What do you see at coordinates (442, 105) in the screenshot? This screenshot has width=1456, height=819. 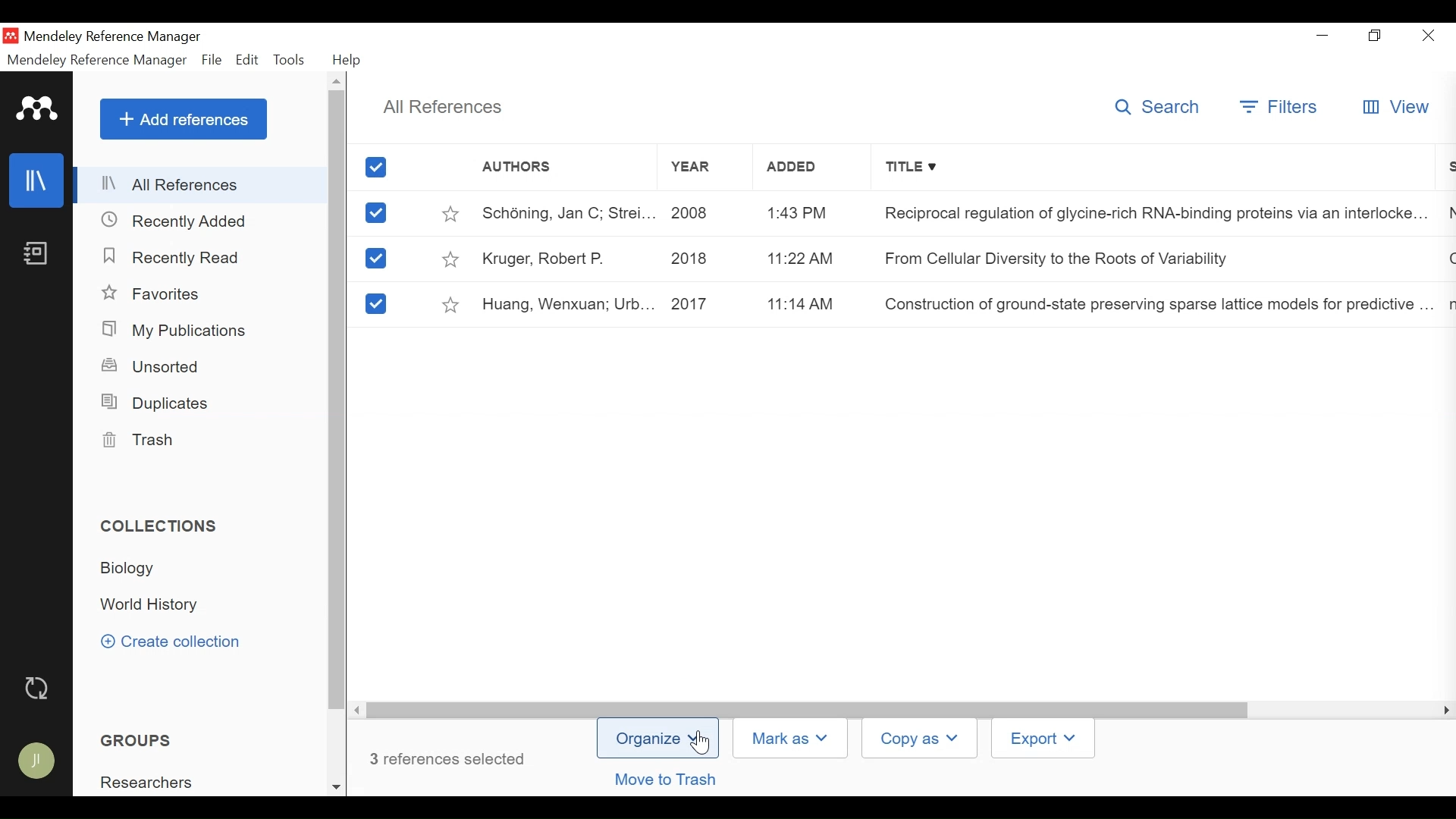 I see `All References` at bounding box center [442, 105].